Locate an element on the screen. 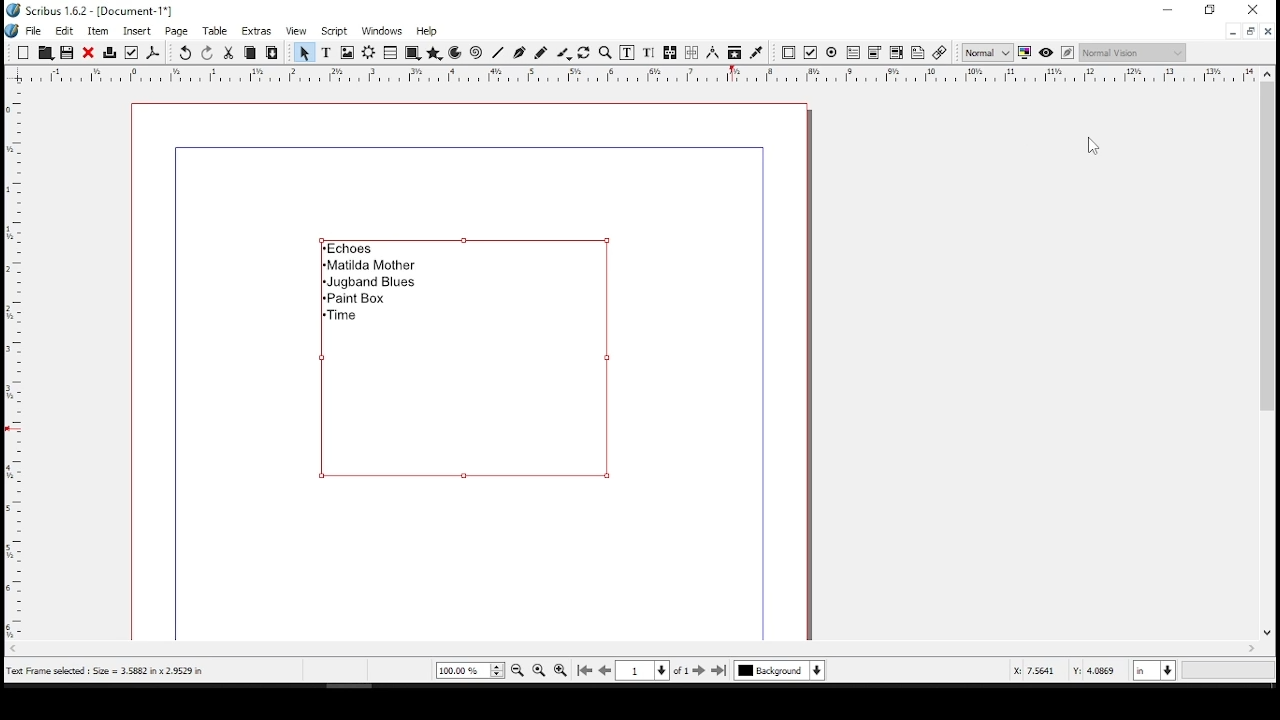 The width and height of the screenshot is (1280, 720). Y: 3.1693 is located at coordinates (1095, 671).